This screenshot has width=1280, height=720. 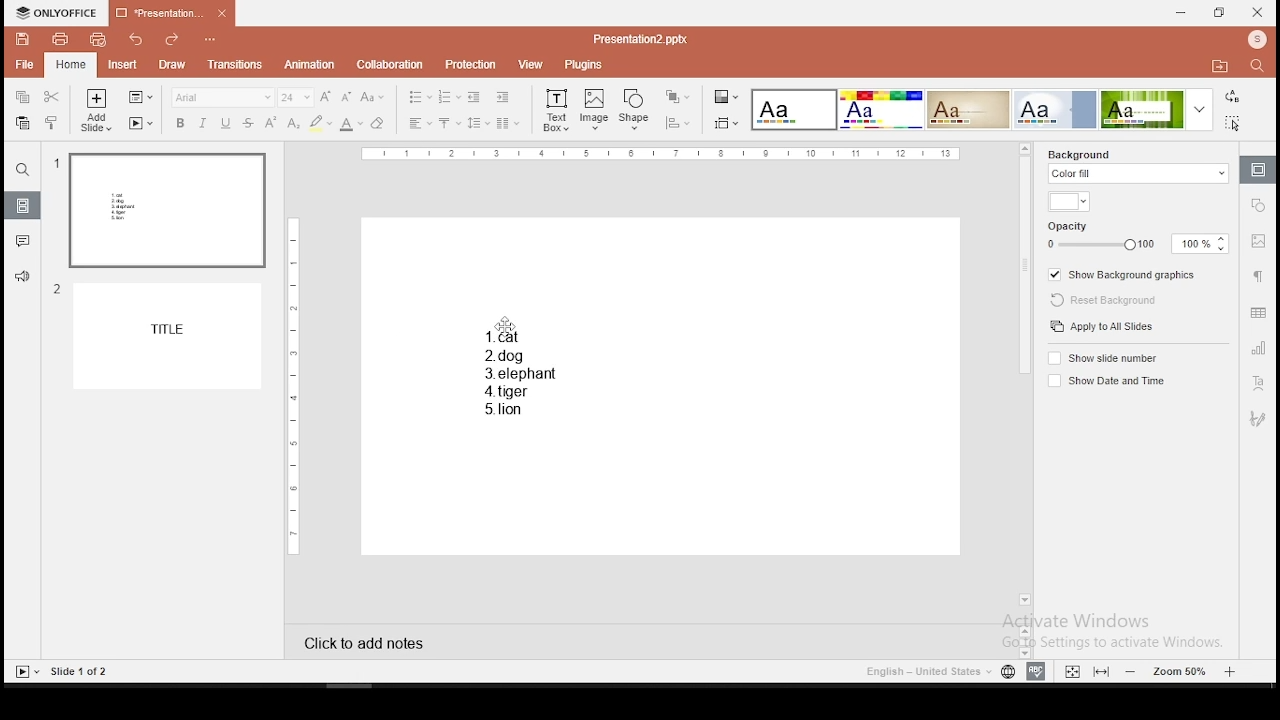 I want to click on file, so click(x=24, y=66).